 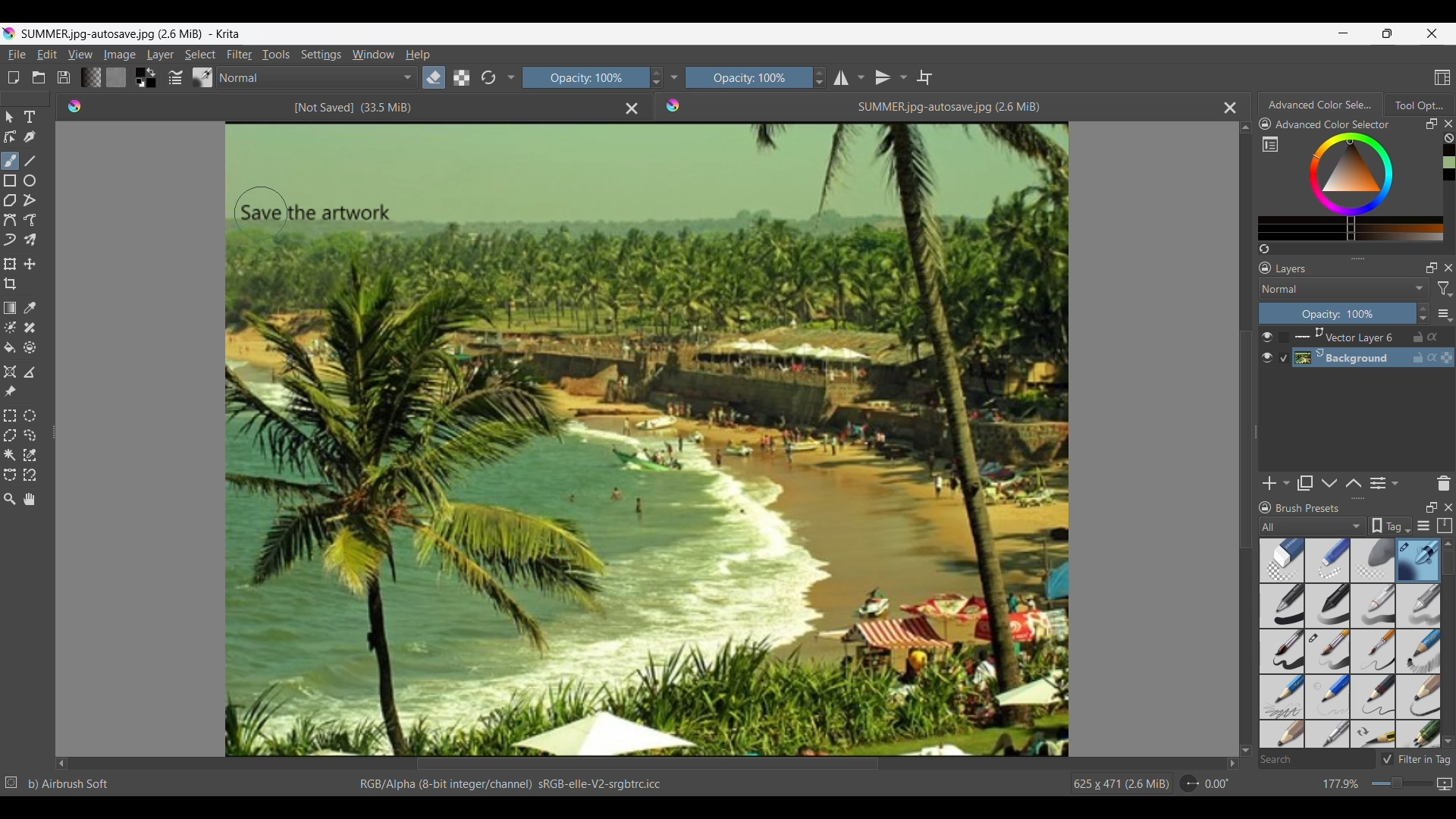 I want to click on Rectangle tool, so click(x=10, y=181).